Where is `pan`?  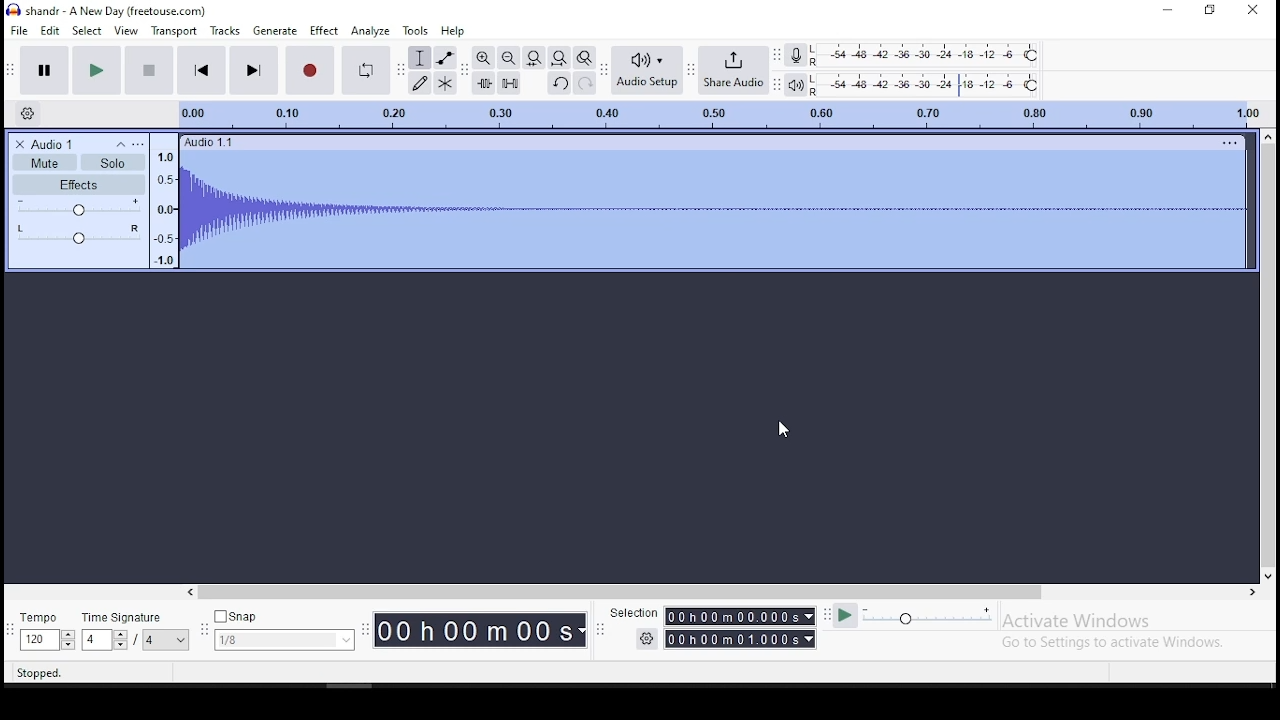
pan is located at coordinates (78, 234).